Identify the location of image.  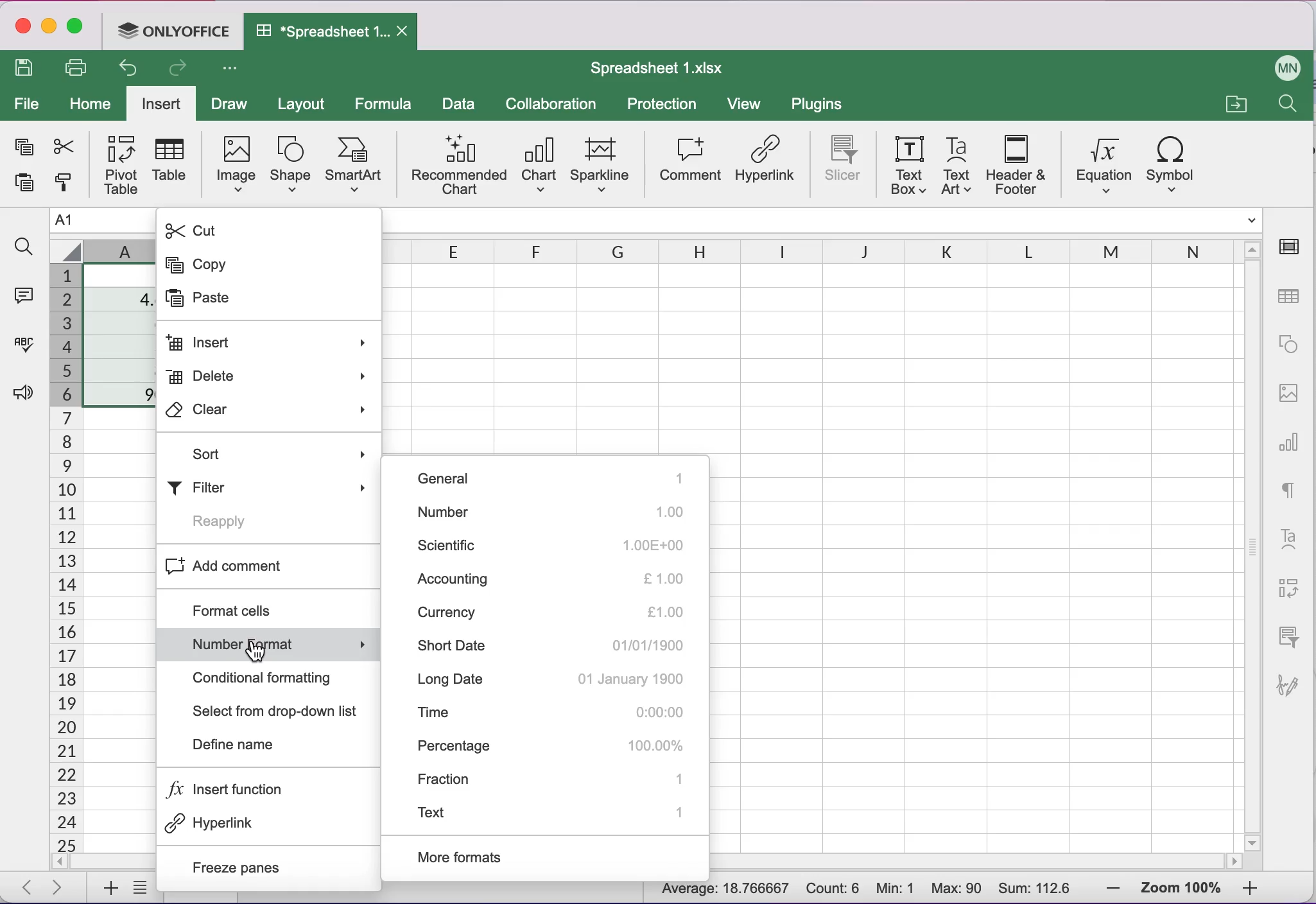
(1290, 392).